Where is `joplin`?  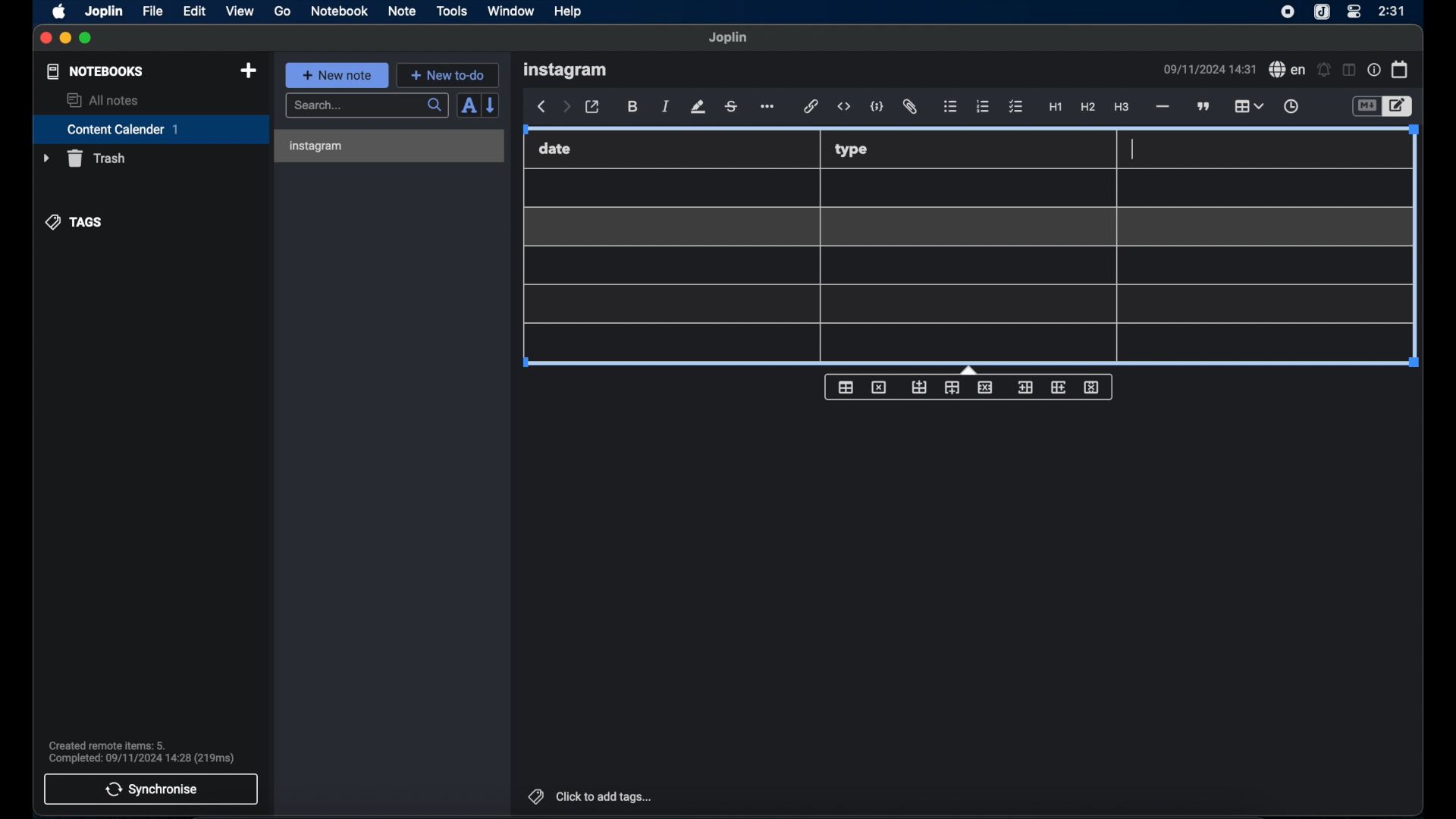 joplin is located at coordinates (104, 11).